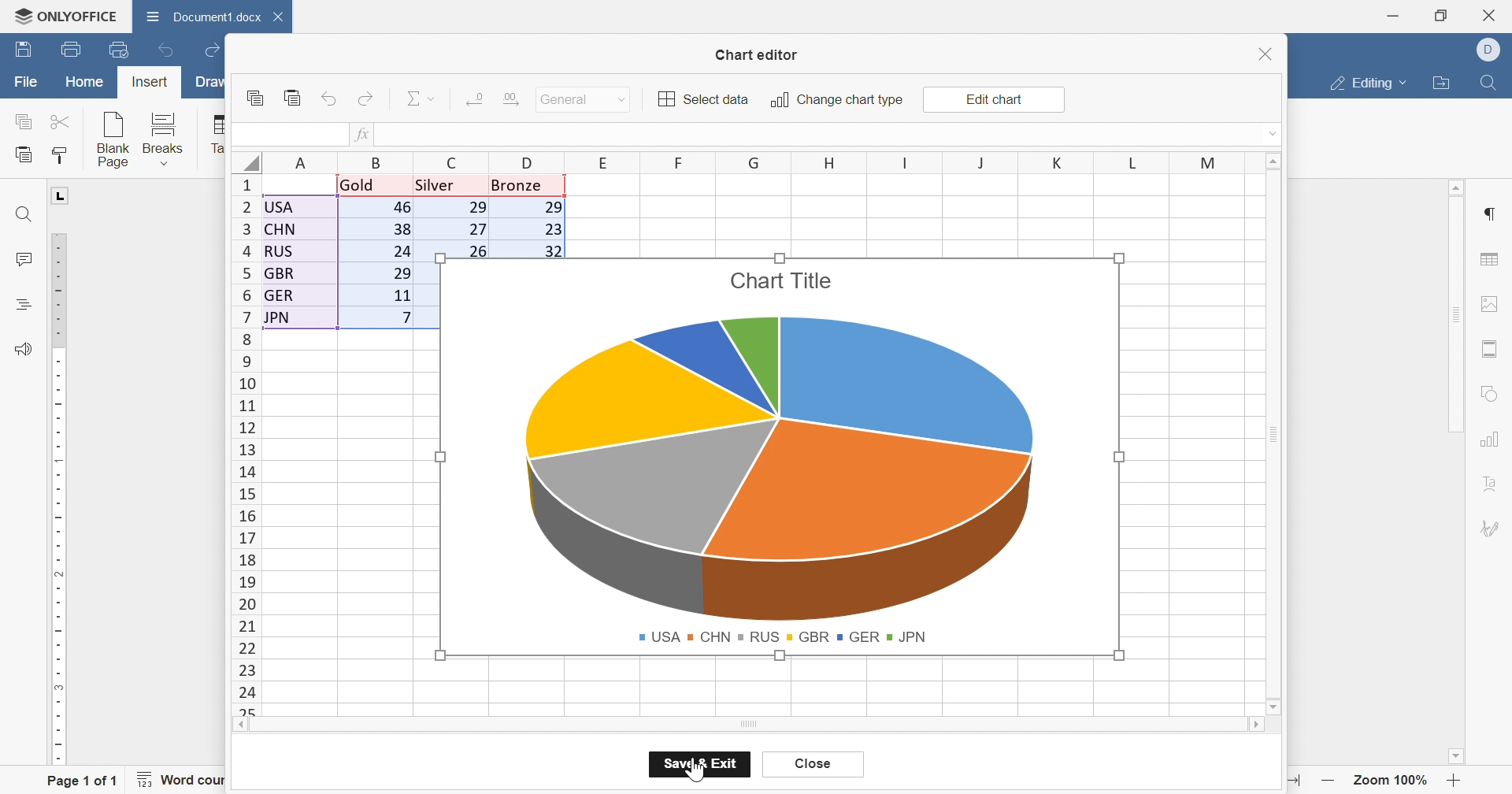 This screenshot has width=1512, height=794. Describe the element at coordinates (1495, 214) in the screenshot. I see `Paragraph settings` at that location.